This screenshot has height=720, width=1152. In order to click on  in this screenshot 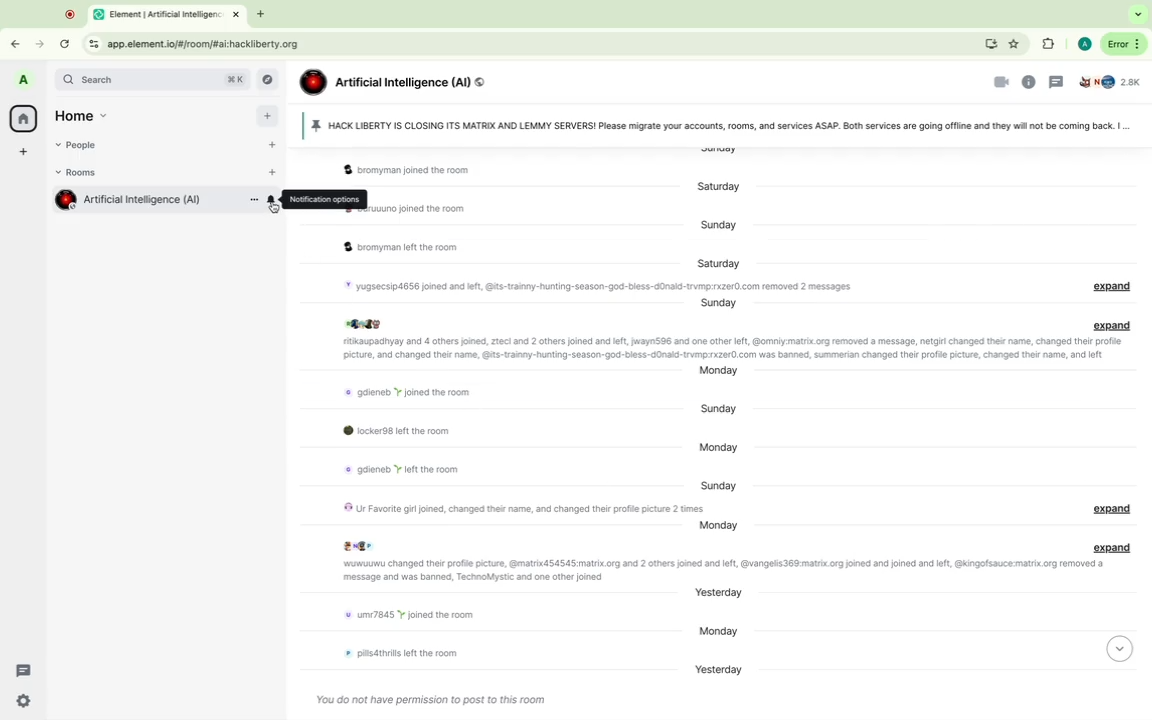, I will do `click(66, 13)`.